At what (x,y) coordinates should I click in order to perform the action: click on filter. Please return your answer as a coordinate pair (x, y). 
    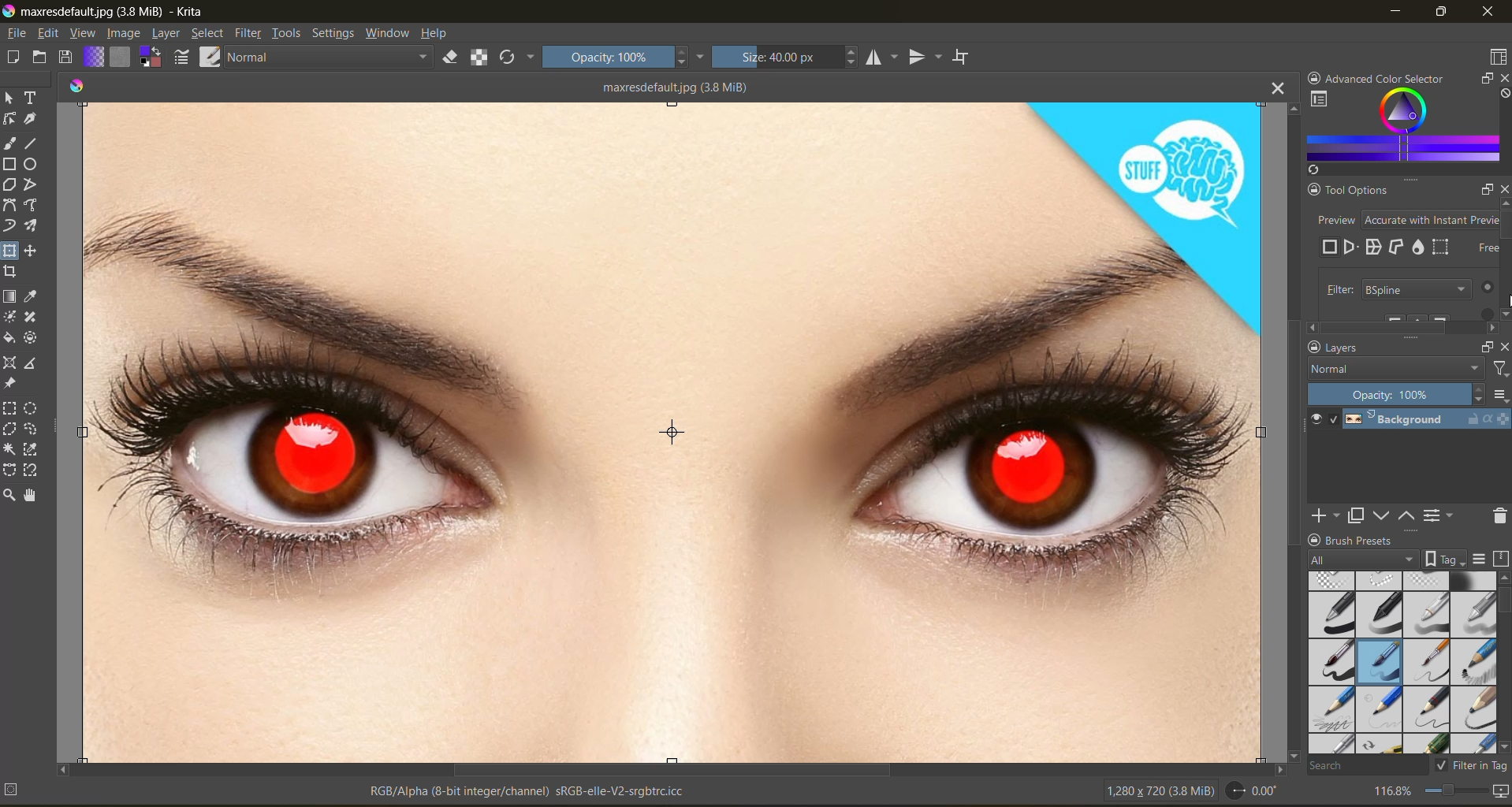
    Looking at the image, I should click on (251, 32).